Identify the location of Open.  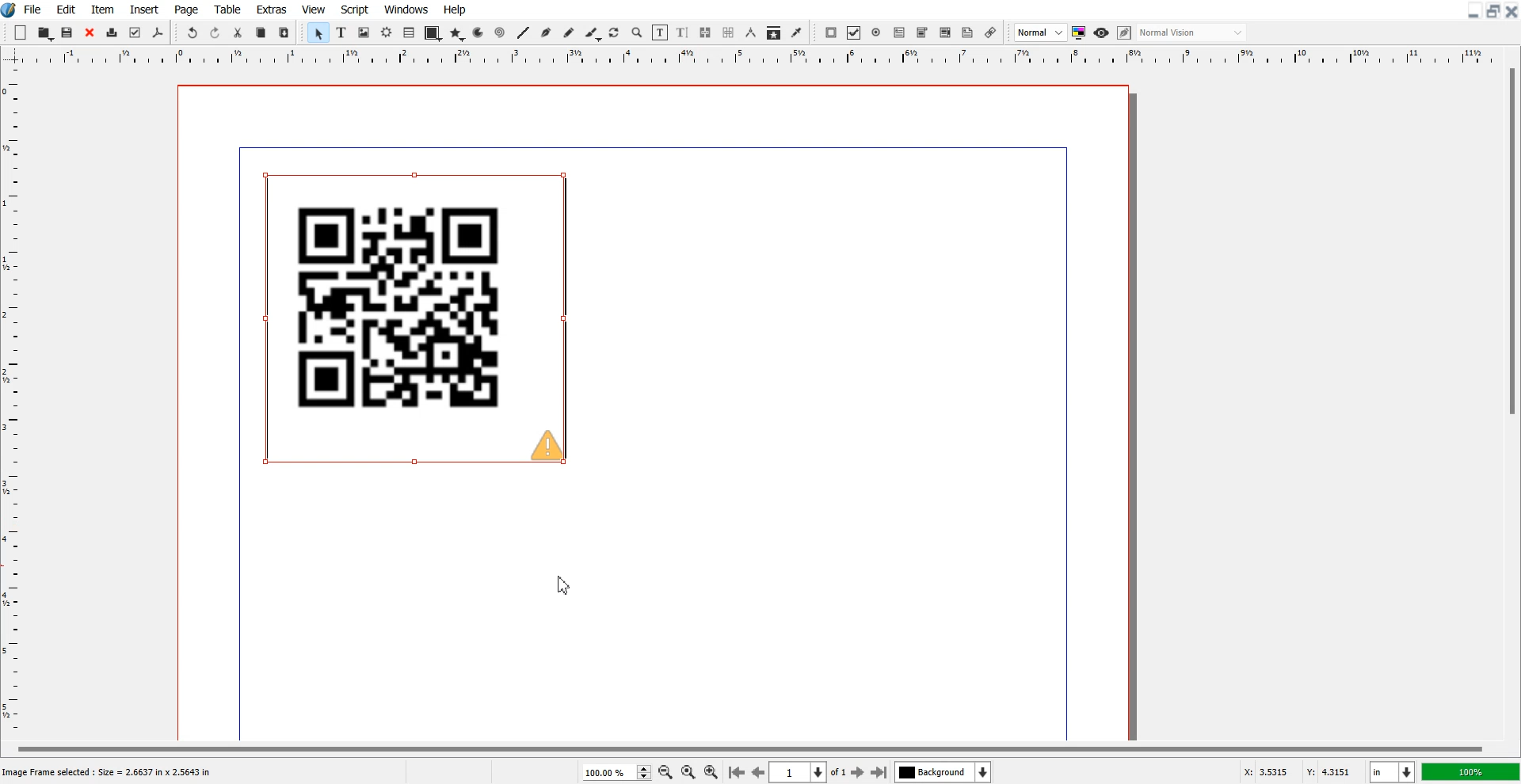
(45, 32).